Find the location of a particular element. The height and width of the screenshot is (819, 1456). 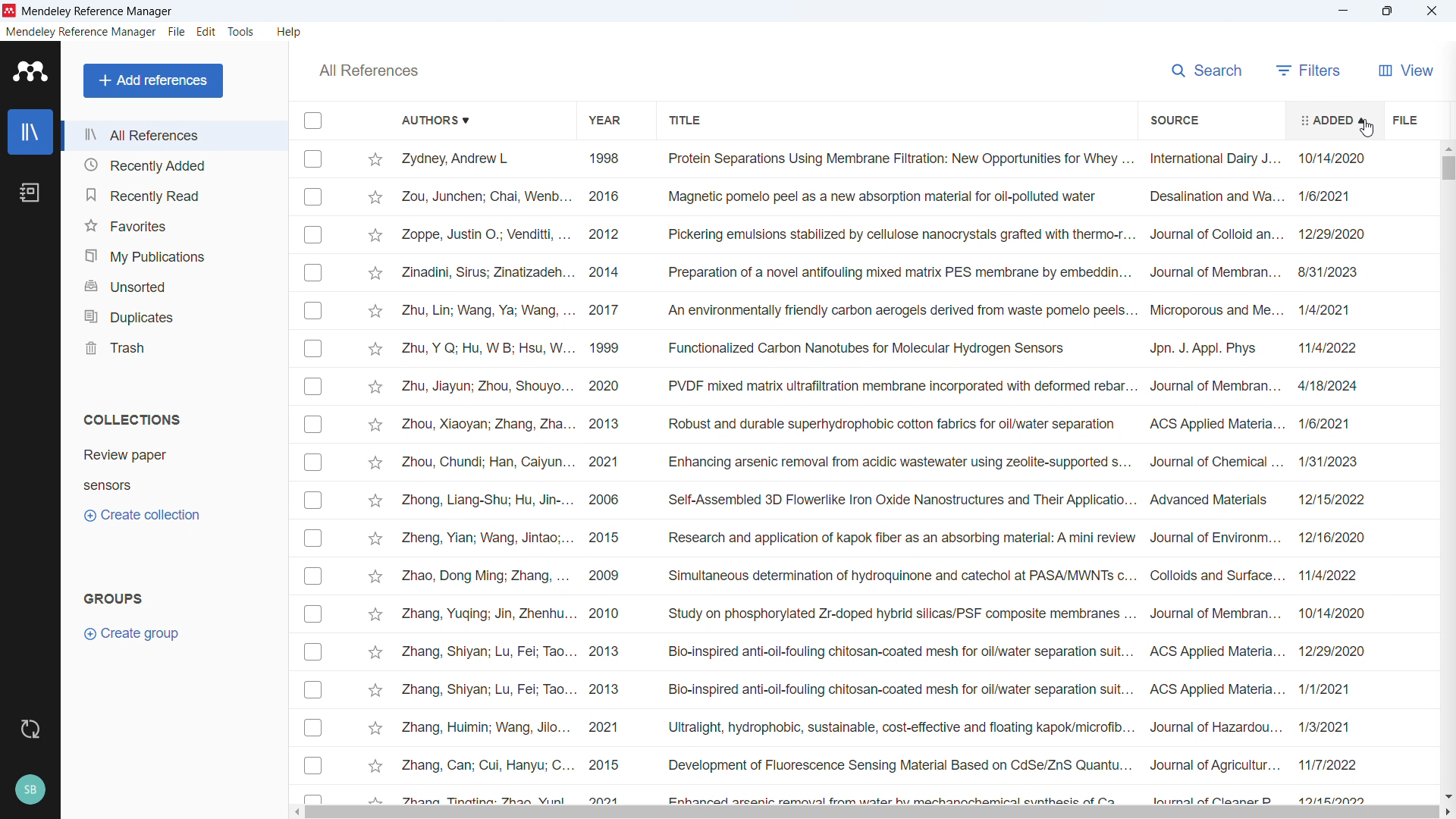

Starmark individual entries  is located at coordinates (375, 474).